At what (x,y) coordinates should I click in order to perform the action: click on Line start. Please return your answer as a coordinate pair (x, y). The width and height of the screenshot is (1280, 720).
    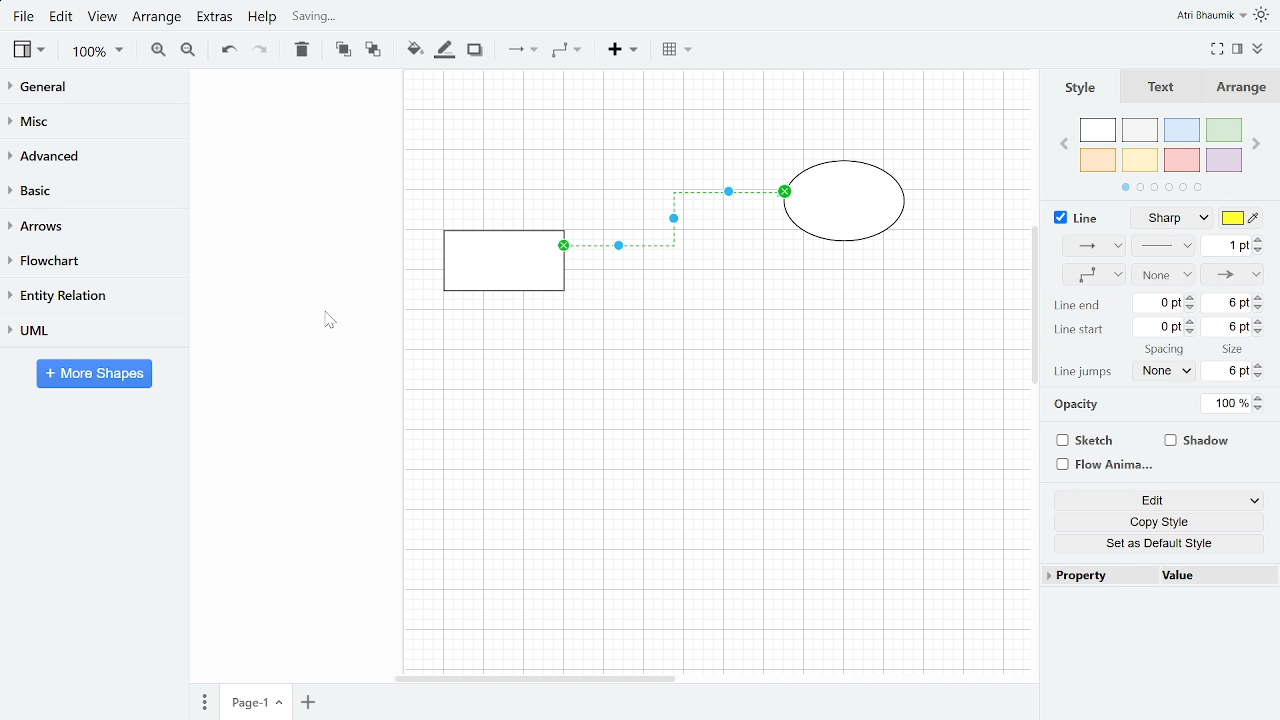
    Looking at the image, I should click on (1165, 274).